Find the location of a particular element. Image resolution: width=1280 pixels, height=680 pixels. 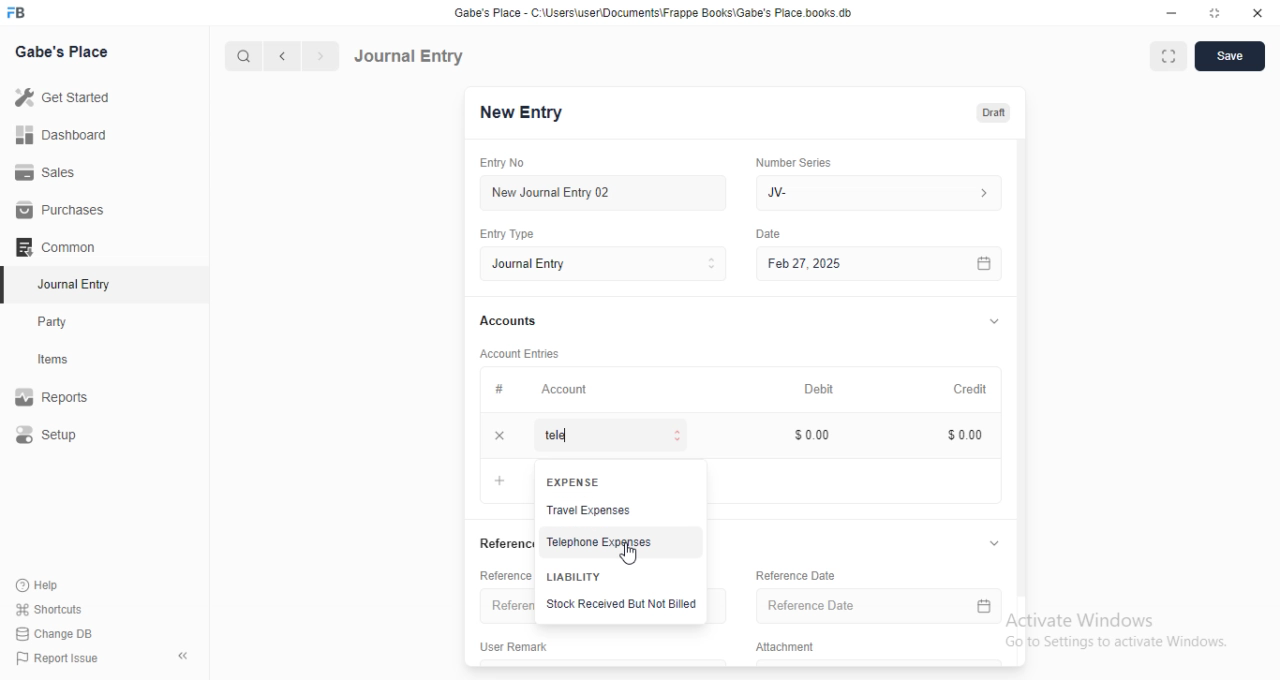

Purchases is located at coordinates (56, 208).